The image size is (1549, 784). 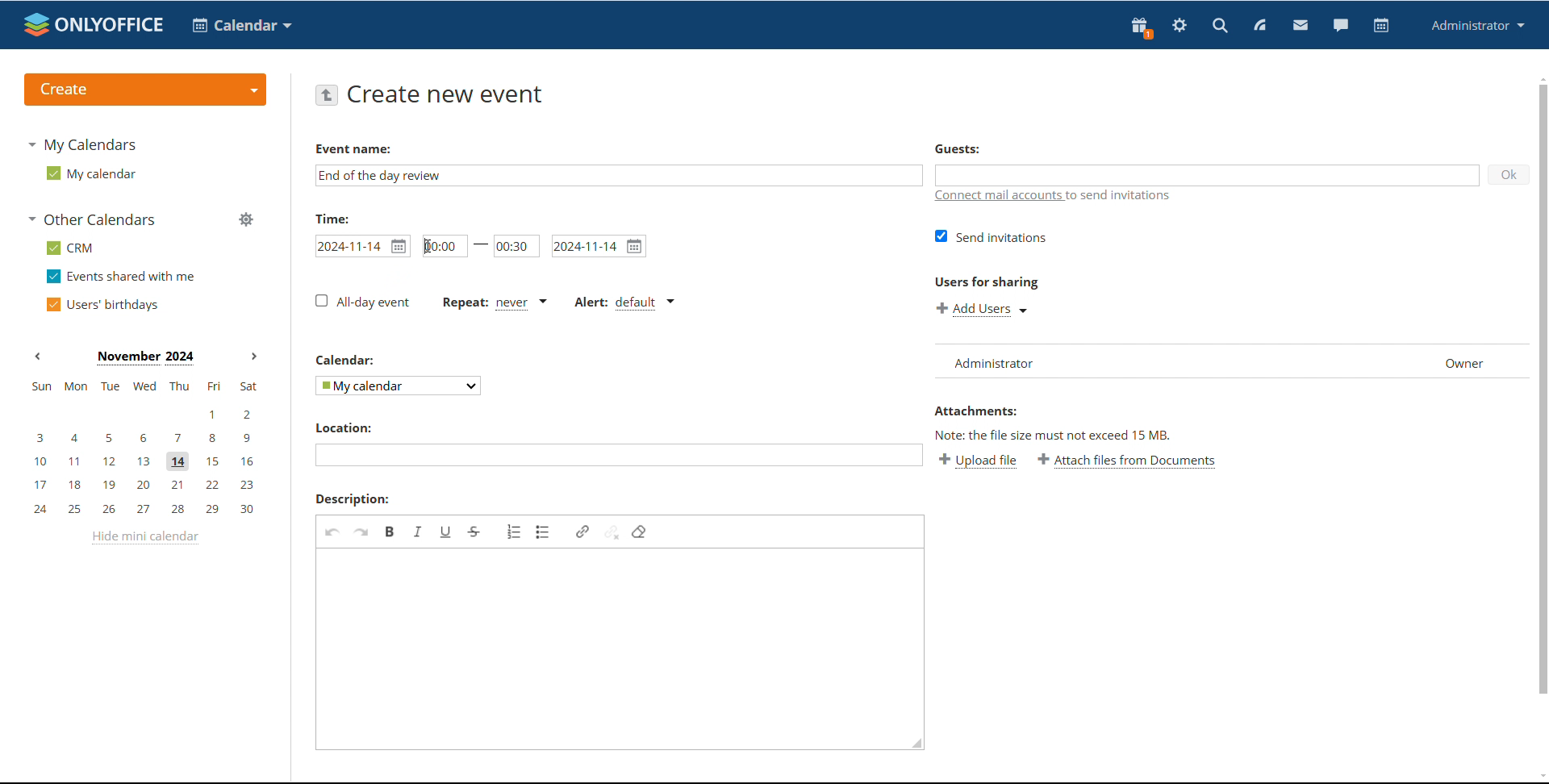 What do you see at coordinates (362, 246) in the screenshot?
I see `set start date` at bounding box center [362, 246].